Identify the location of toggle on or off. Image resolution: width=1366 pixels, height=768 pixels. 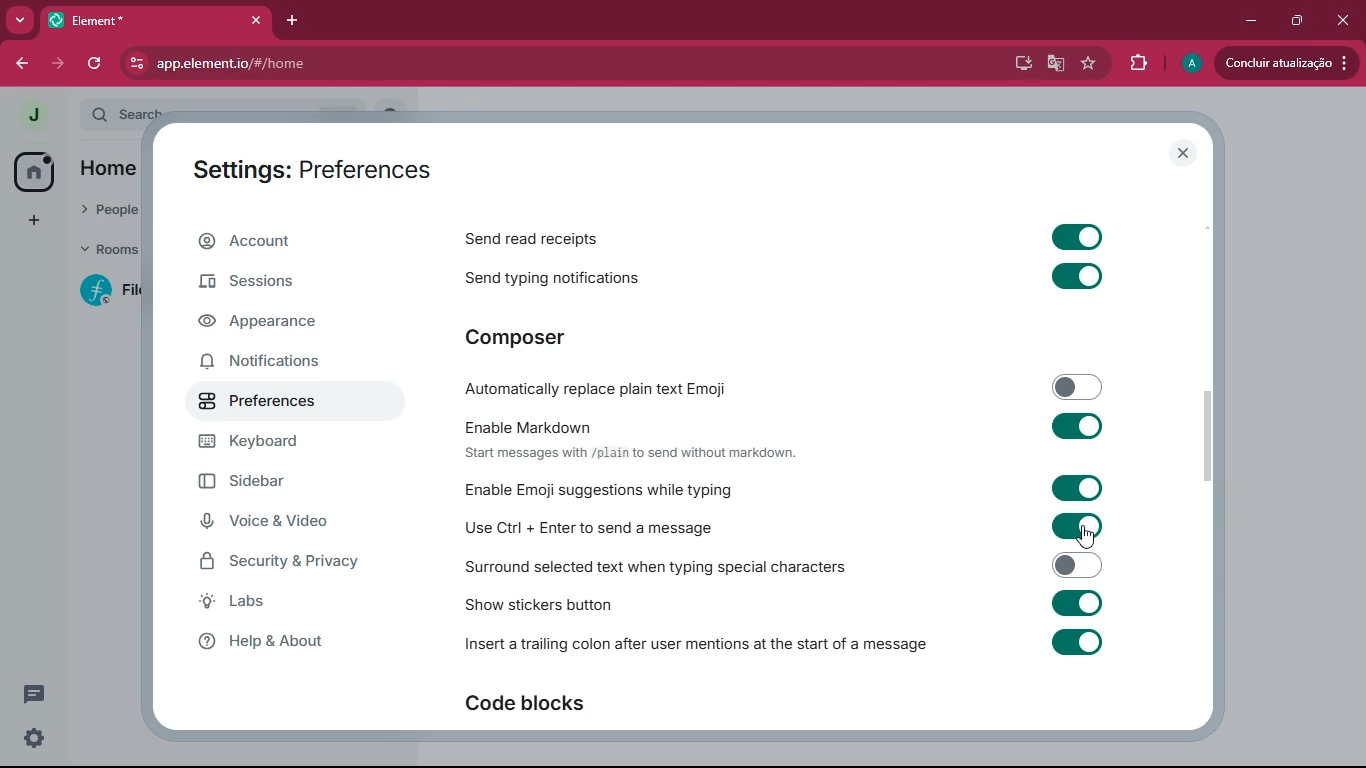
(1070, 563).